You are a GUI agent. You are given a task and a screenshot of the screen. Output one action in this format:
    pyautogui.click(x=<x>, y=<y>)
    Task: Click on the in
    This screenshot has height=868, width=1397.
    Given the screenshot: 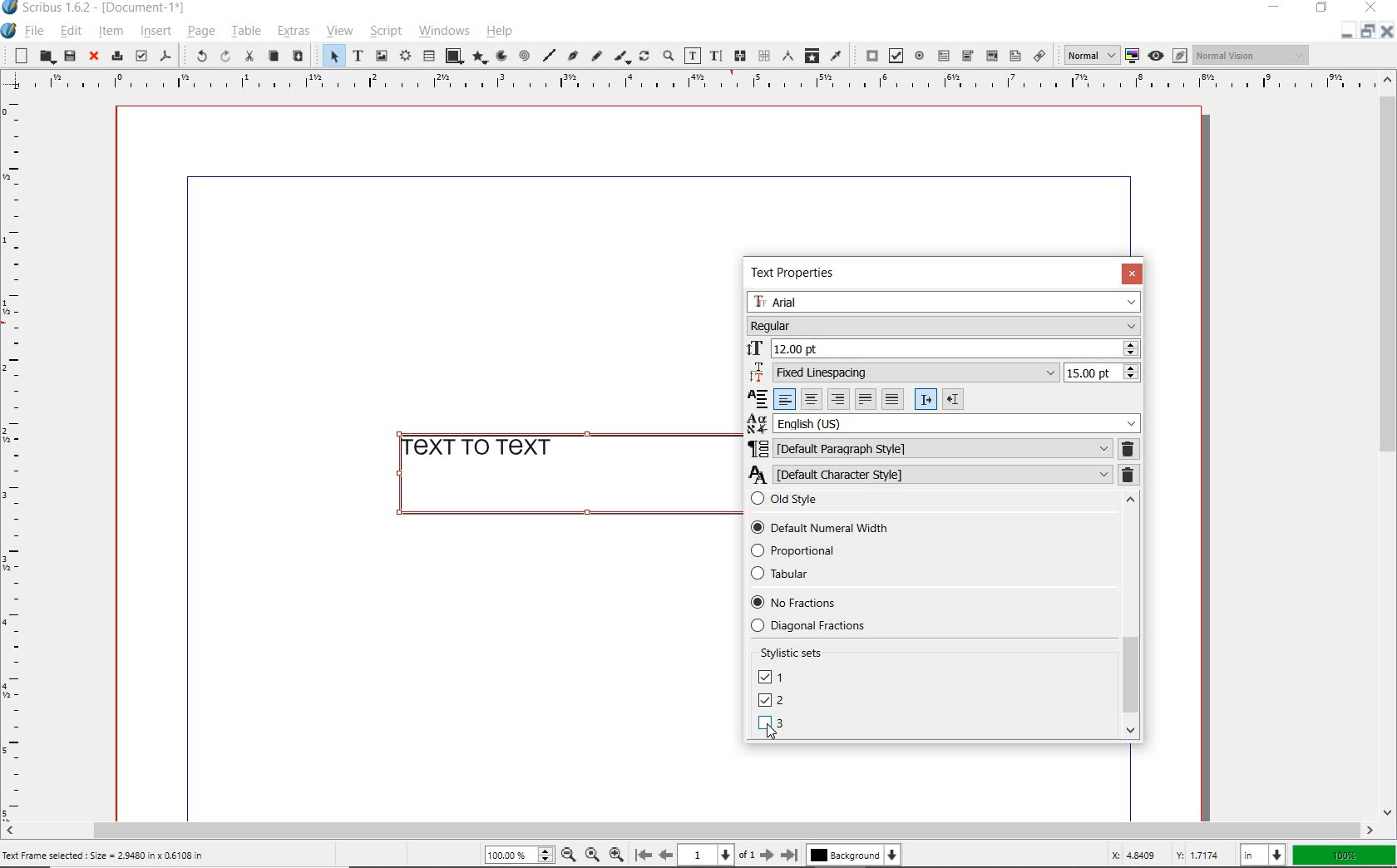 What is the action you would take?
    pyautogui.click(x=1265, y=854)
    